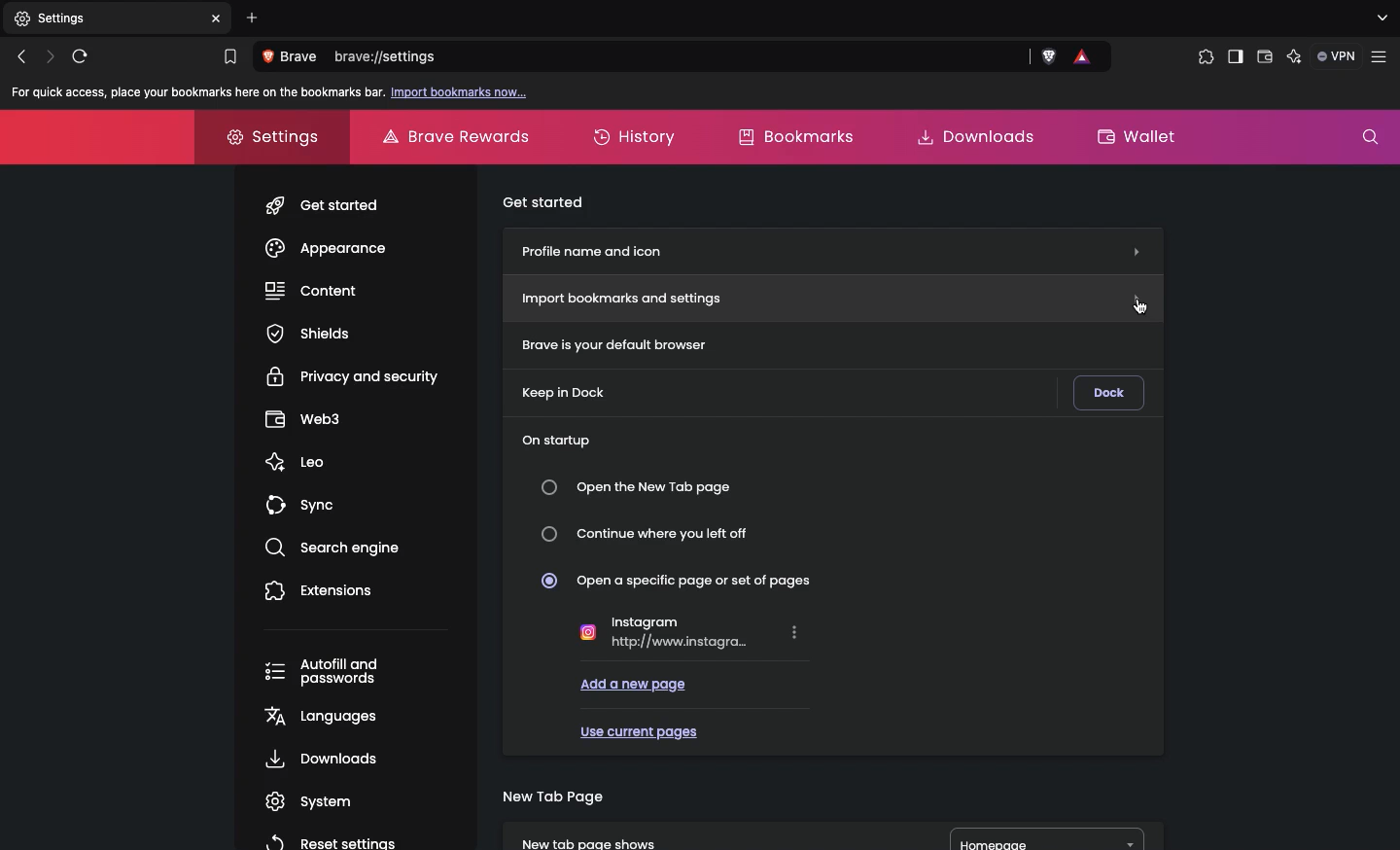 Image resolution: width=1400 pixels, height=850 pixels. Describe the element at coordinates (830, 248) in the screenshot. I see `Profile name and icon` at that location.